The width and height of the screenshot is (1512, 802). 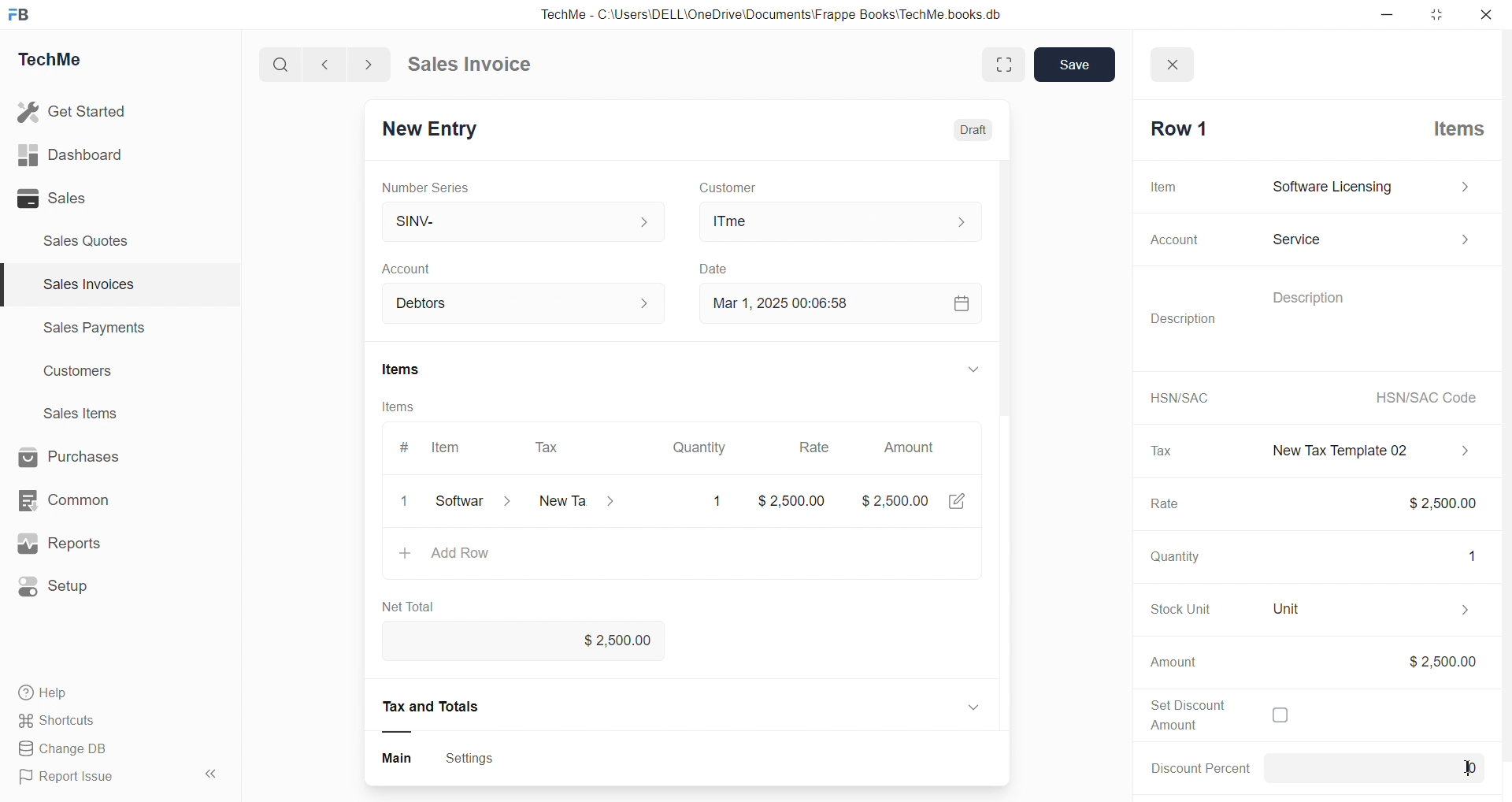 What do you see at coordinates (69, 750) in the screenshot?
I see `B& Change DB` at bounding box center [69, 750].